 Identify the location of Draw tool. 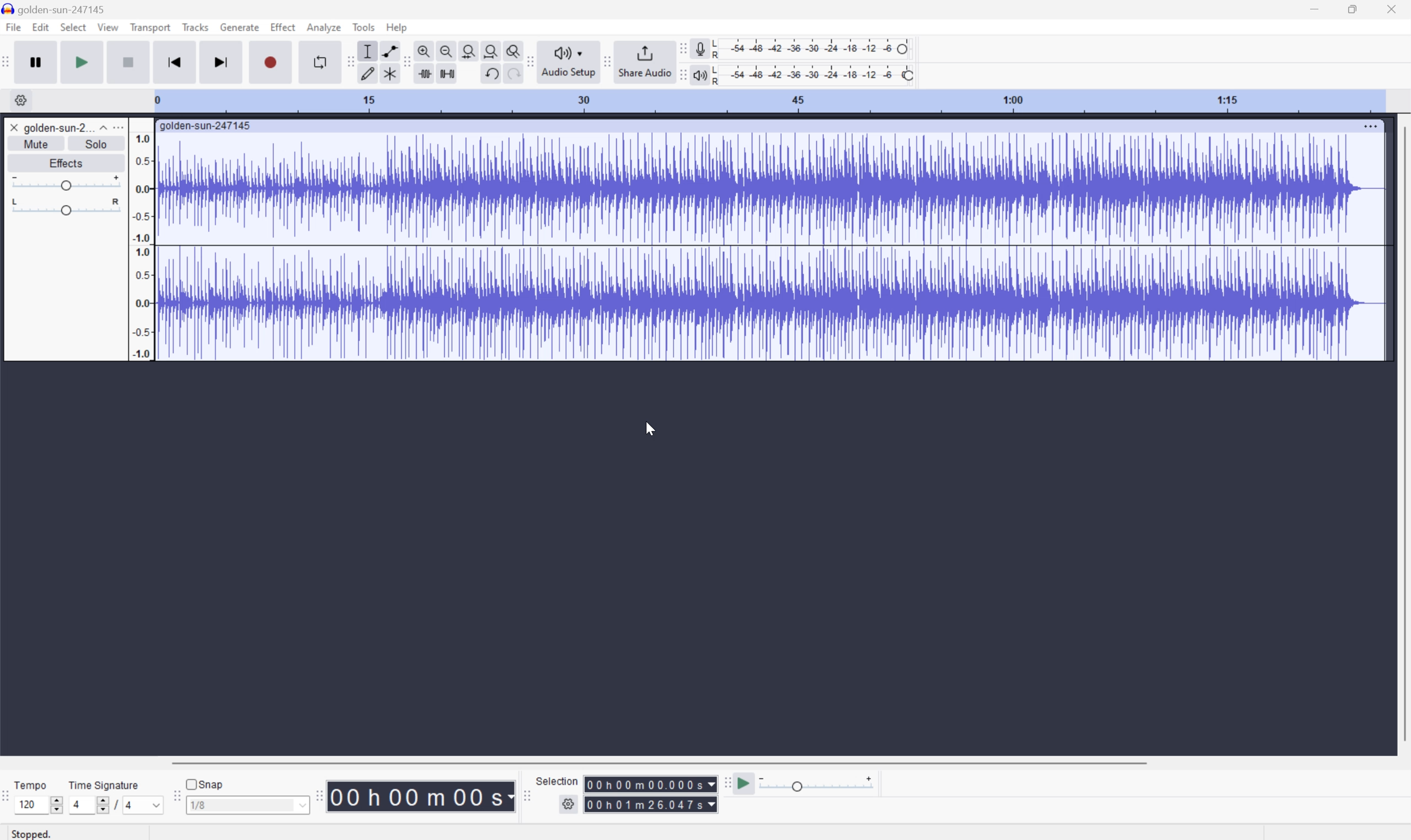
(368, 75).